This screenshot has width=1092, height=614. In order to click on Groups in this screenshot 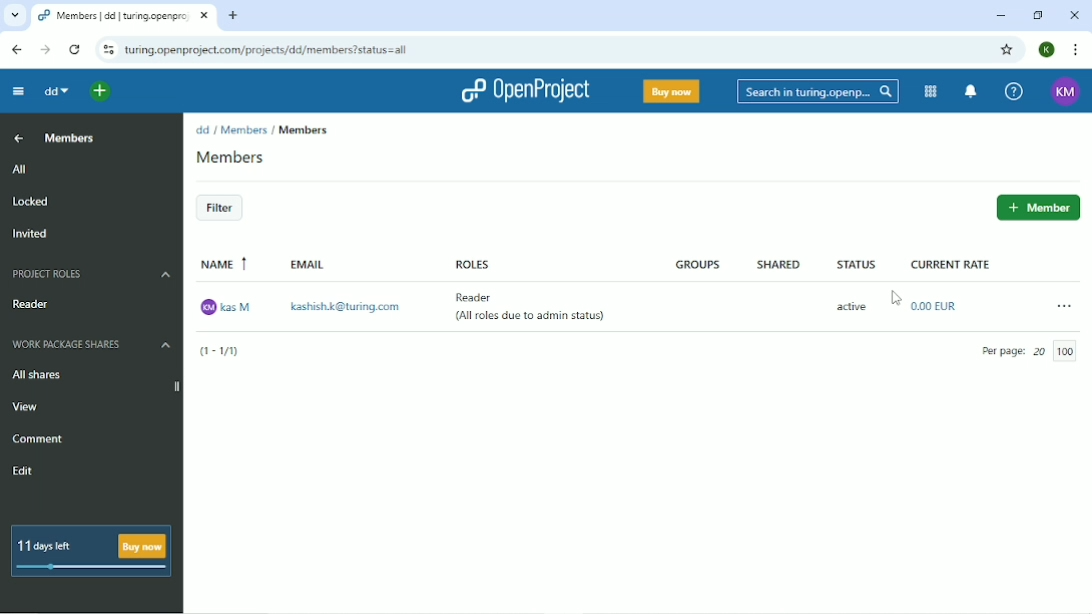, I will do `click(701, 265)`.